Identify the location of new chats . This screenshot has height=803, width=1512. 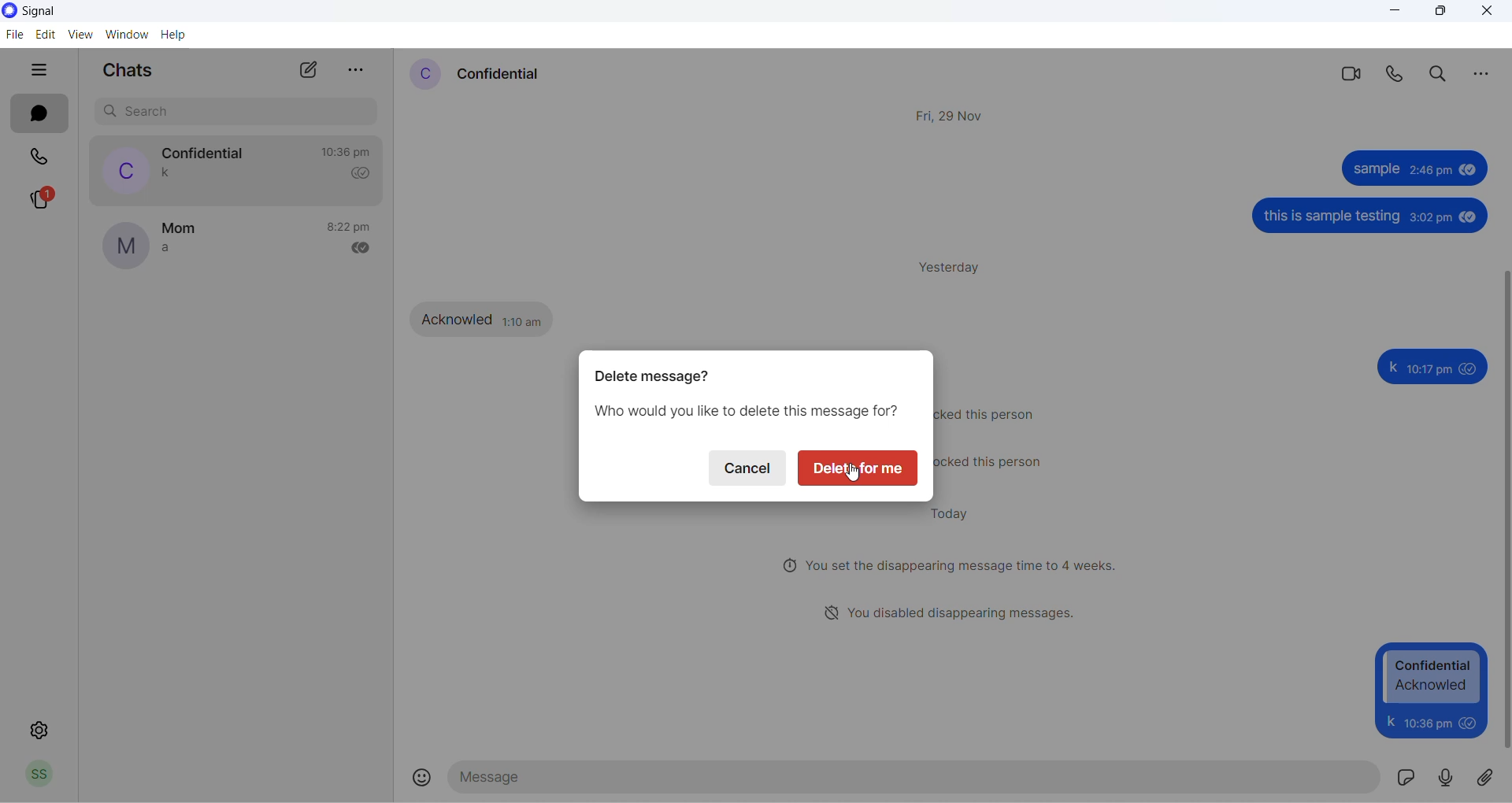
(308, 71).